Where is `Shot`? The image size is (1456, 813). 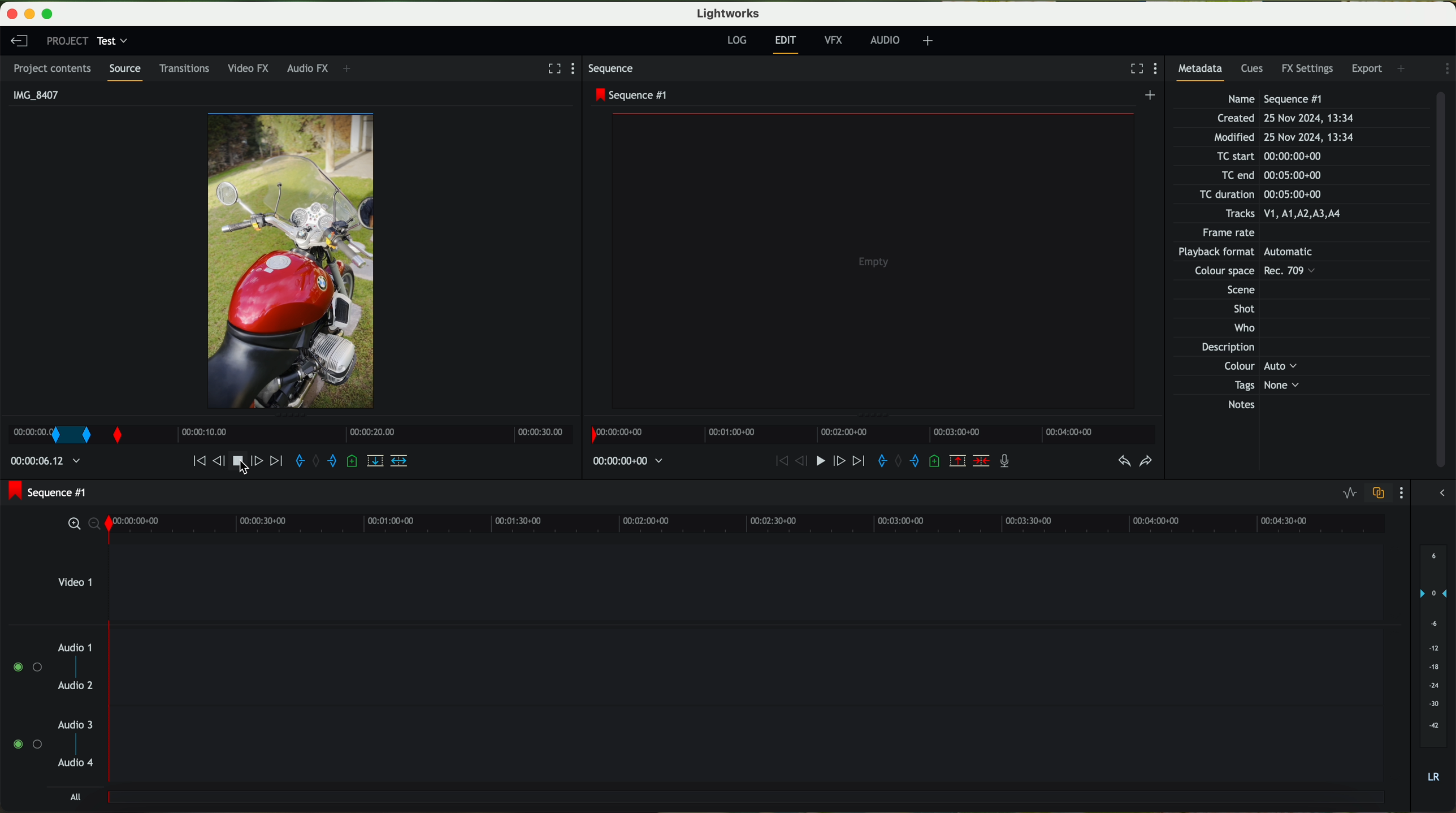 Shot is located at coordinates (1242, 309).